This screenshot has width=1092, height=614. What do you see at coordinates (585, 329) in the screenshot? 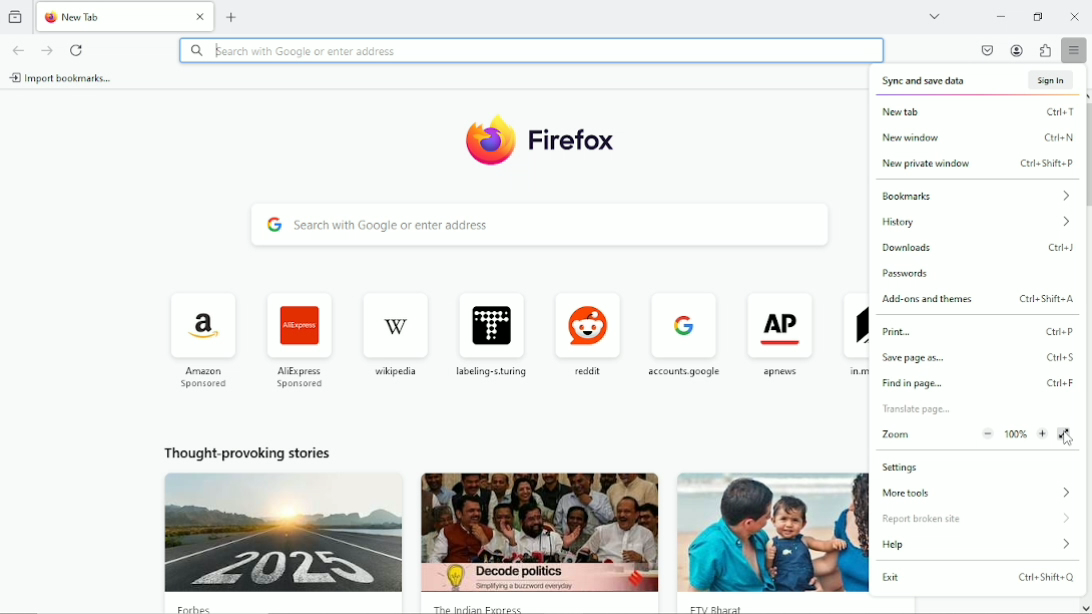
I see `reddit` at bounding box center [585, 329].